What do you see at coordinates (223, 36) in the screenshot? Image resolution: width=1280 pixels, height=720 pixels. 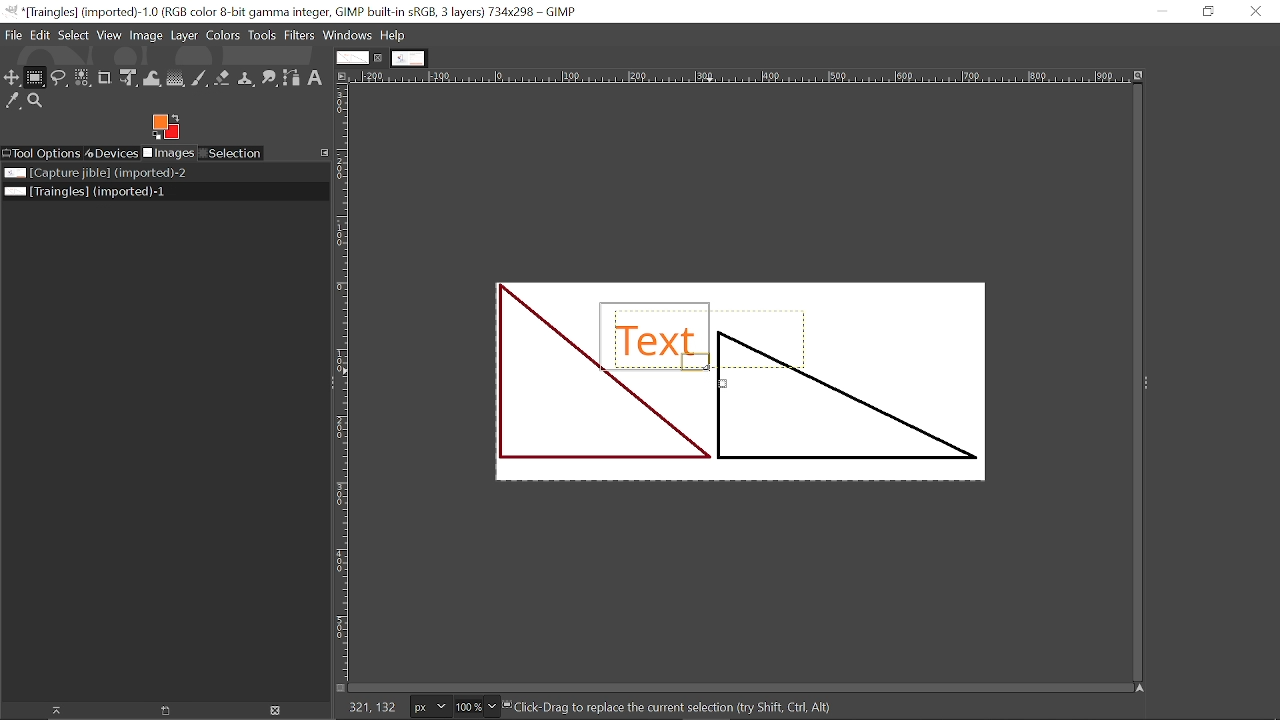 I see `Colors` at bounding box center [223, 36].